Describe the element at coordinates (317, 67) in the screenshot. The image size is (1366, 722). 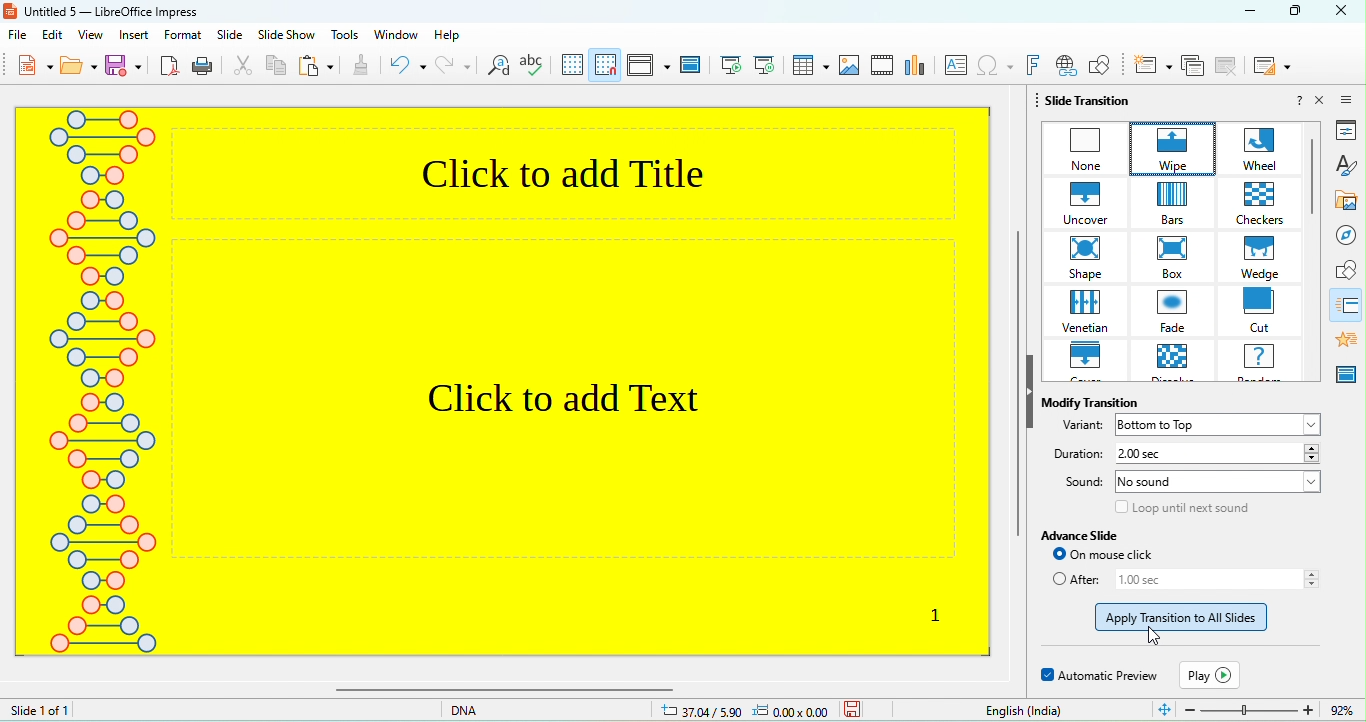
I see `paste` at that location.